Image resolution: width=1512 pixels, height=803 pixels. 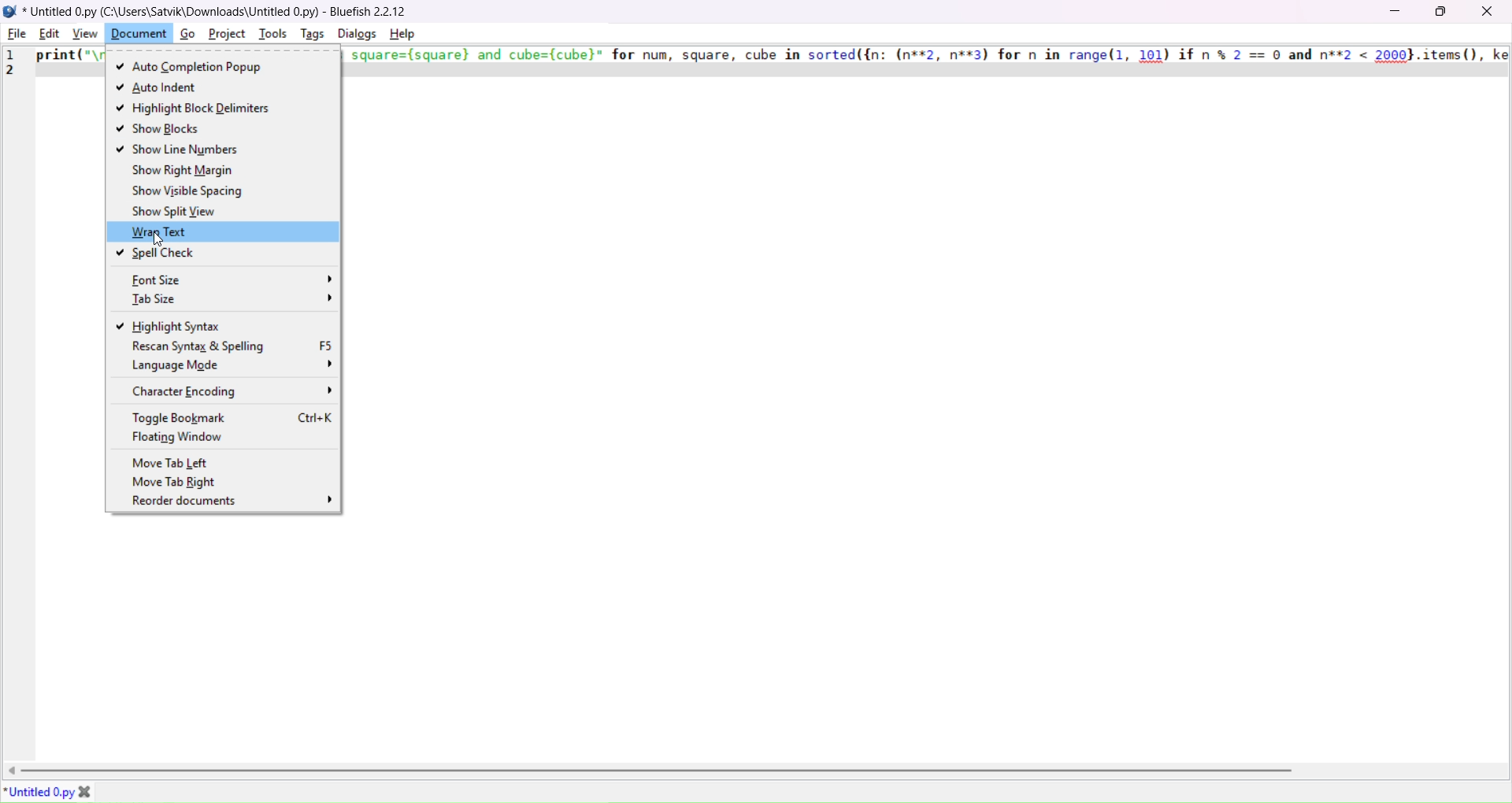 What do you see at coordinates (179, 439) in the screenshot?
I see `floating window` at bounding box center [179, 439].